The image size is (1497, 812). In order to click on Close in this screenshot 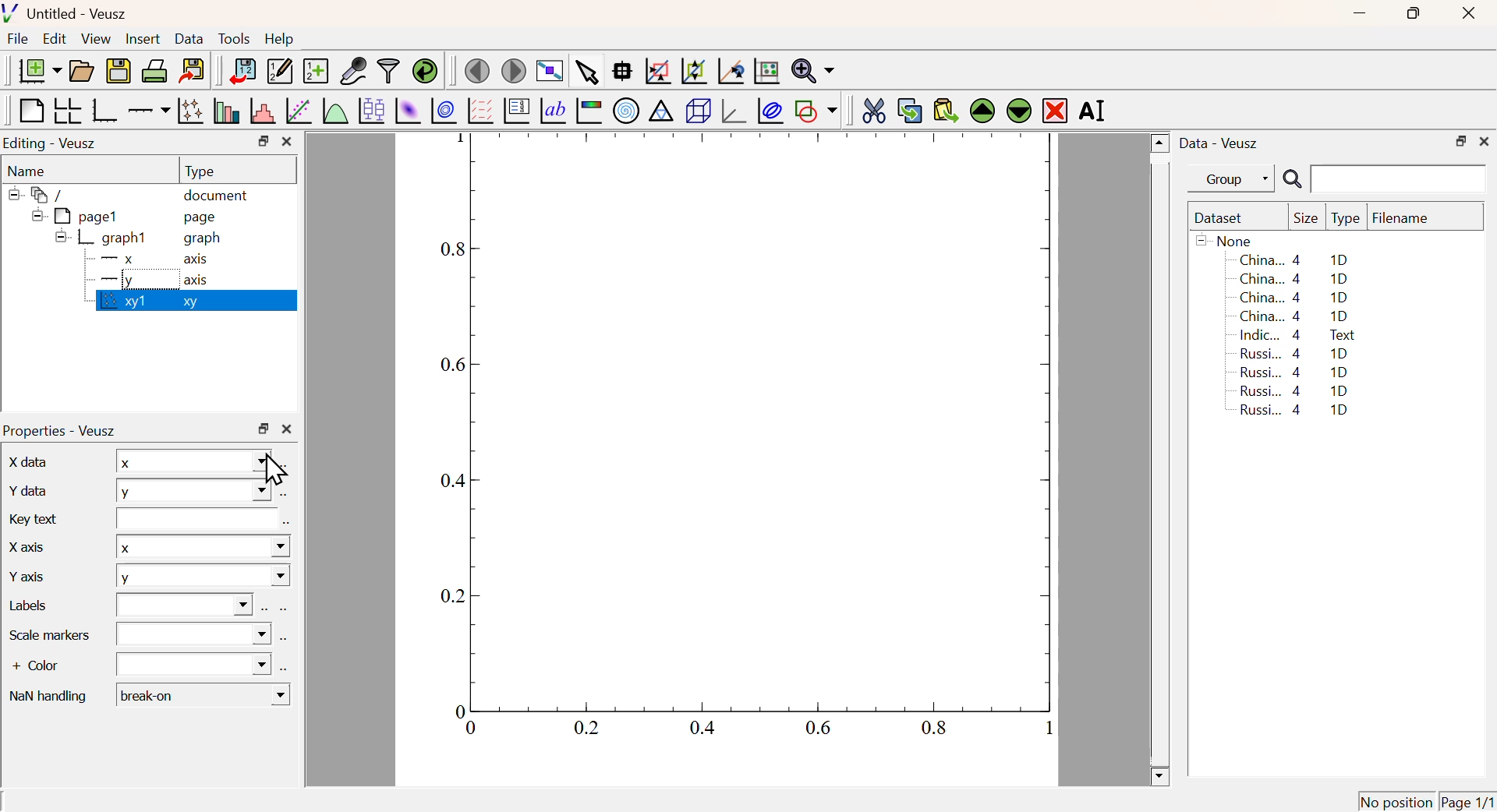, I will do `click(1485, 139)`.